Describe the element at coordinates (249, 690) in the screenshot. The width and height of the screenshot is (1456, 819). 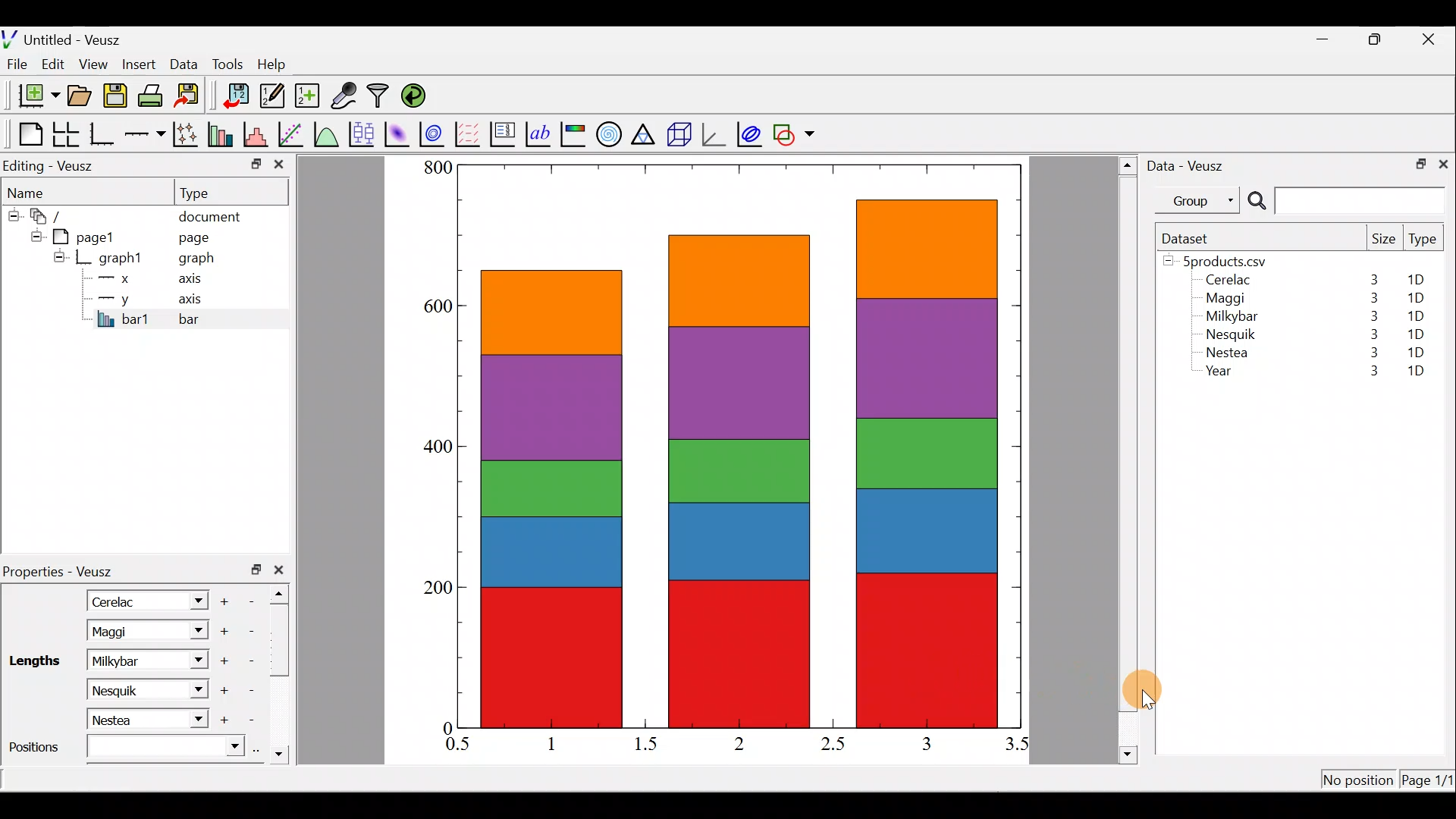
I see `Remove item` at that location.